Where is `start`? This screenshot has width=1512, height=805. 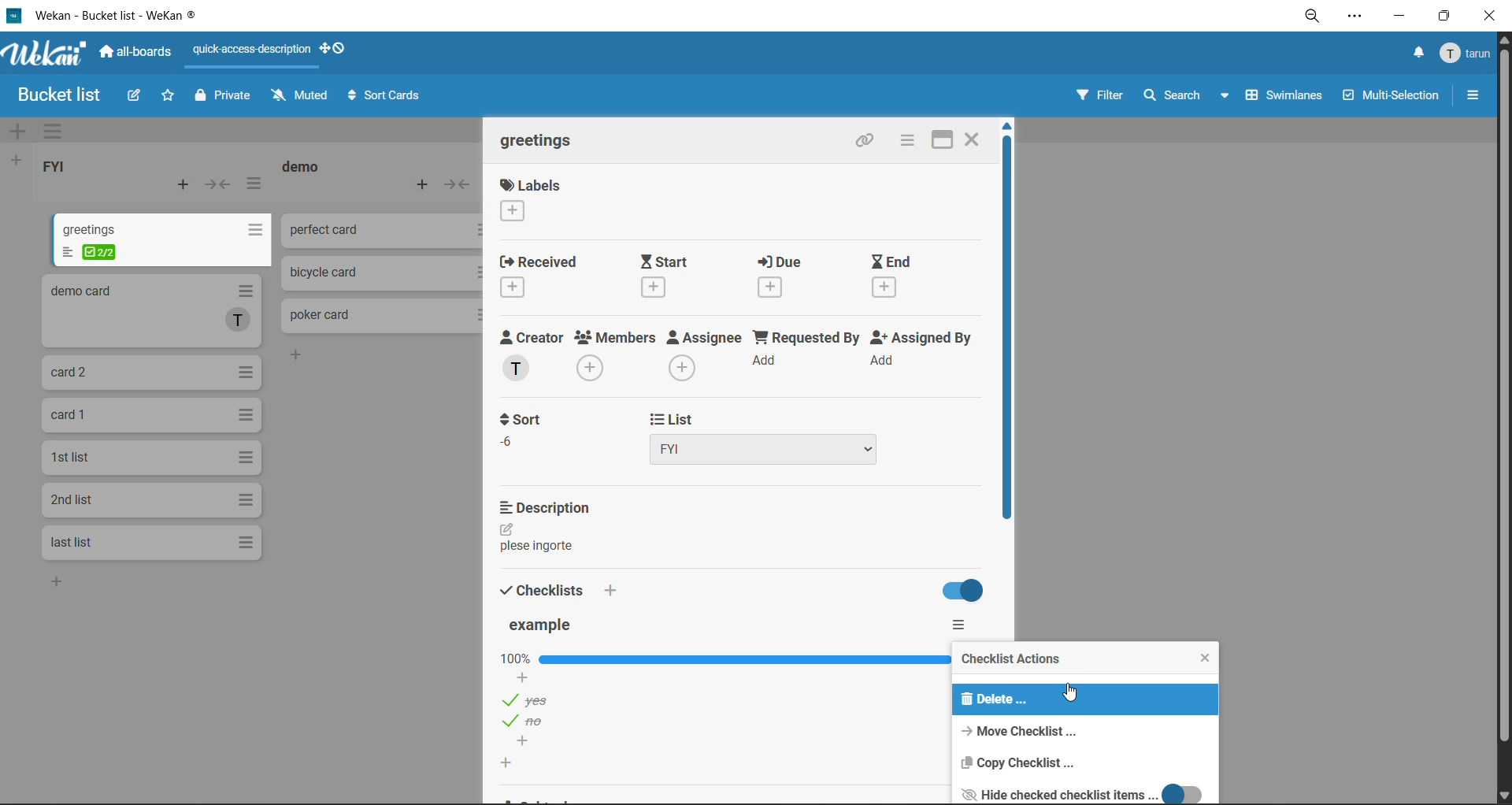
start is located at coordinates (664, 276).